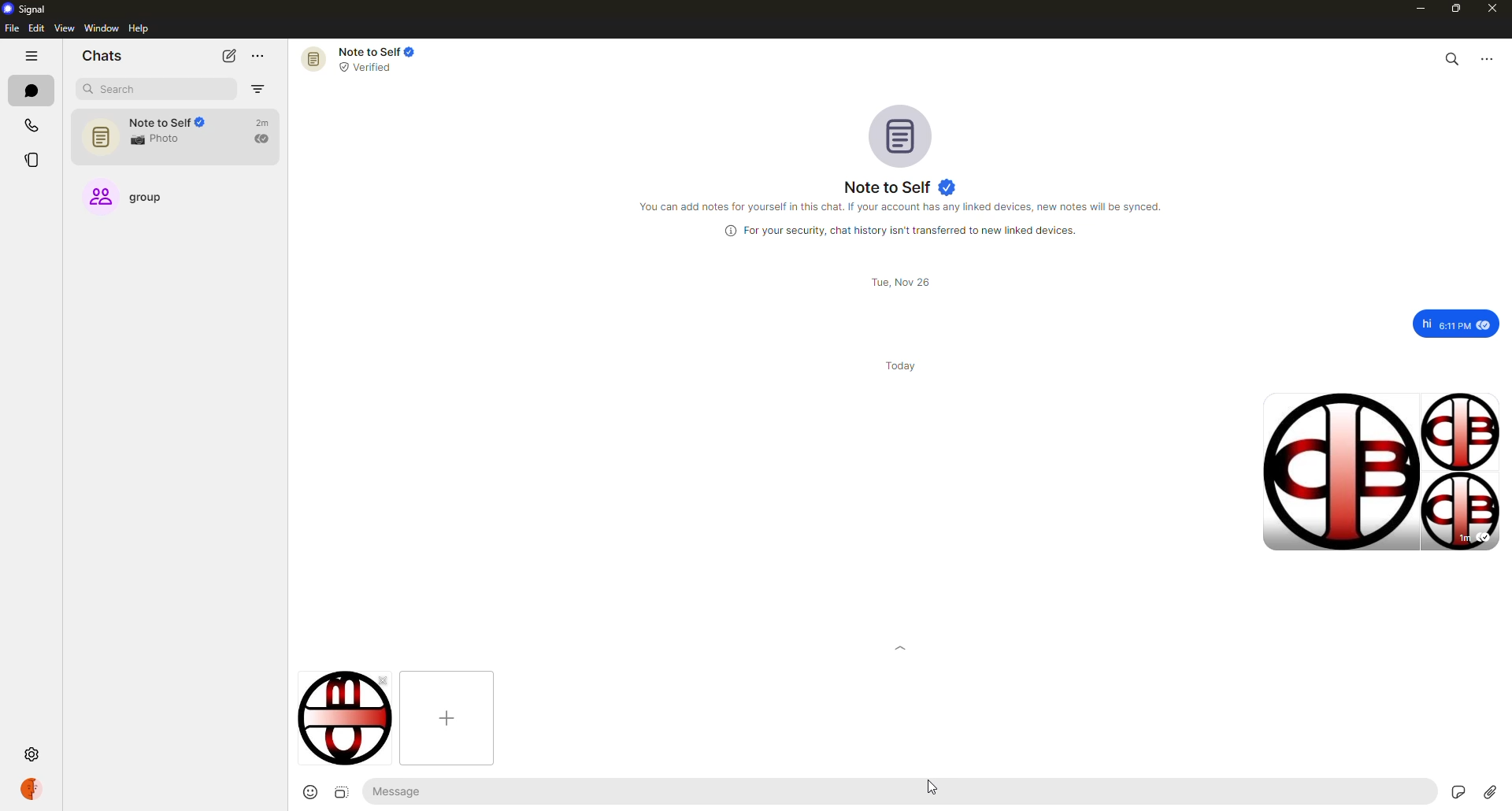  What do you see at coordinates (31, 91) in the screenshot?
I see `chats` at bounding box center [31, 91].